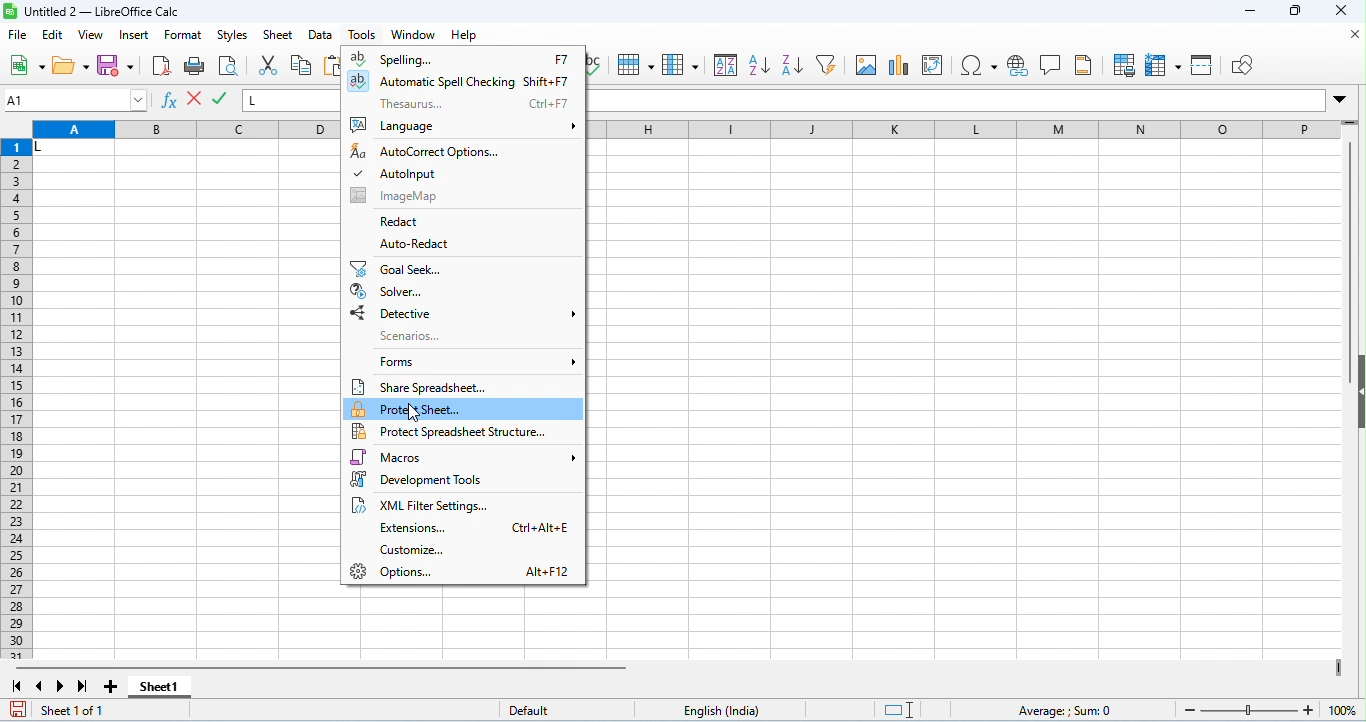 The width and height of the screenshot is (1366, 722). I want to click on automatic spell checking, so click(465, 82).